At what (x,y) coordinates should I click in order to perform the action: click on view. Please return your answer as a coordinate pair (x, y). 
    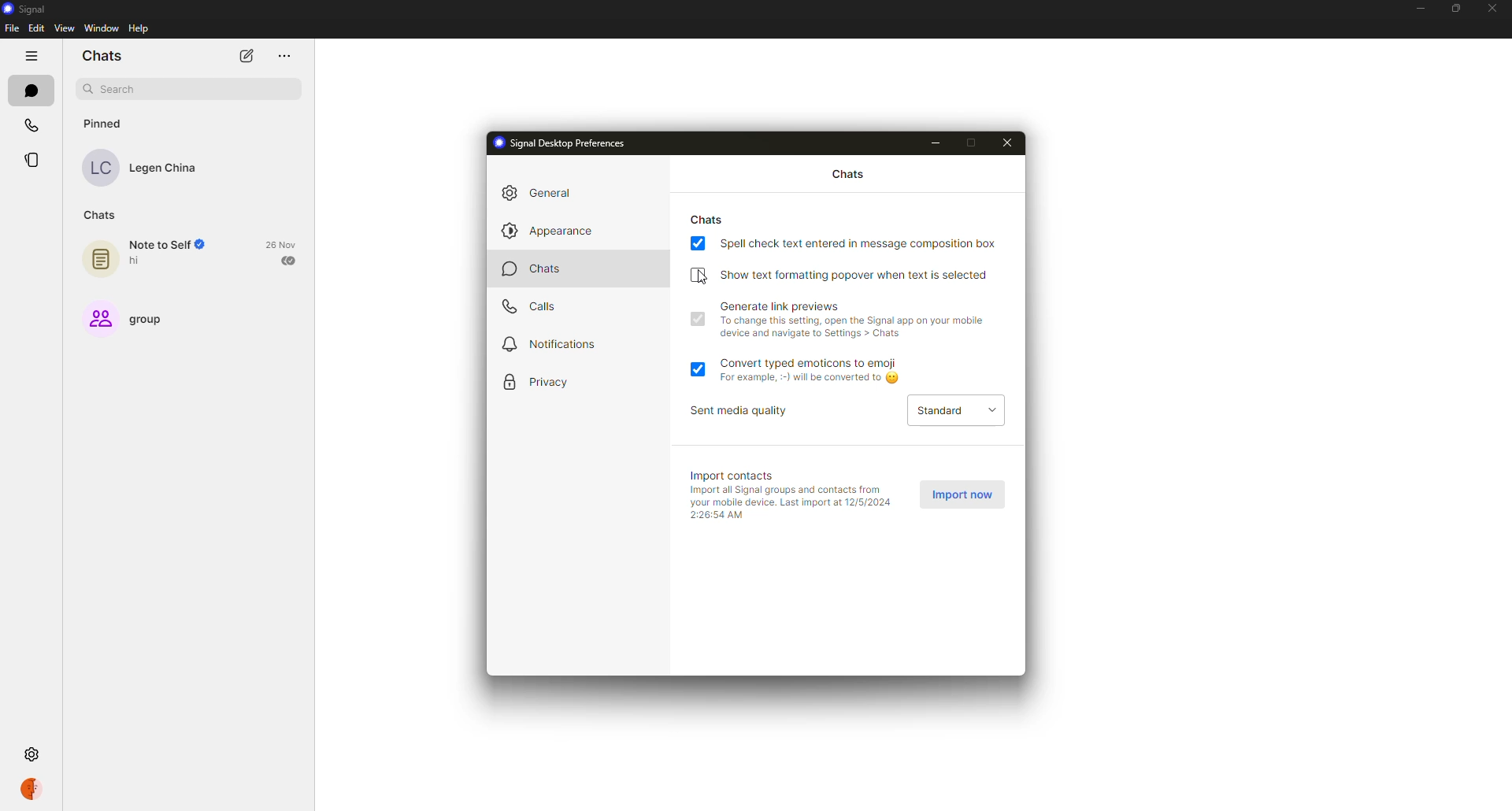
    Looking at the image, I should click on (65, 28).